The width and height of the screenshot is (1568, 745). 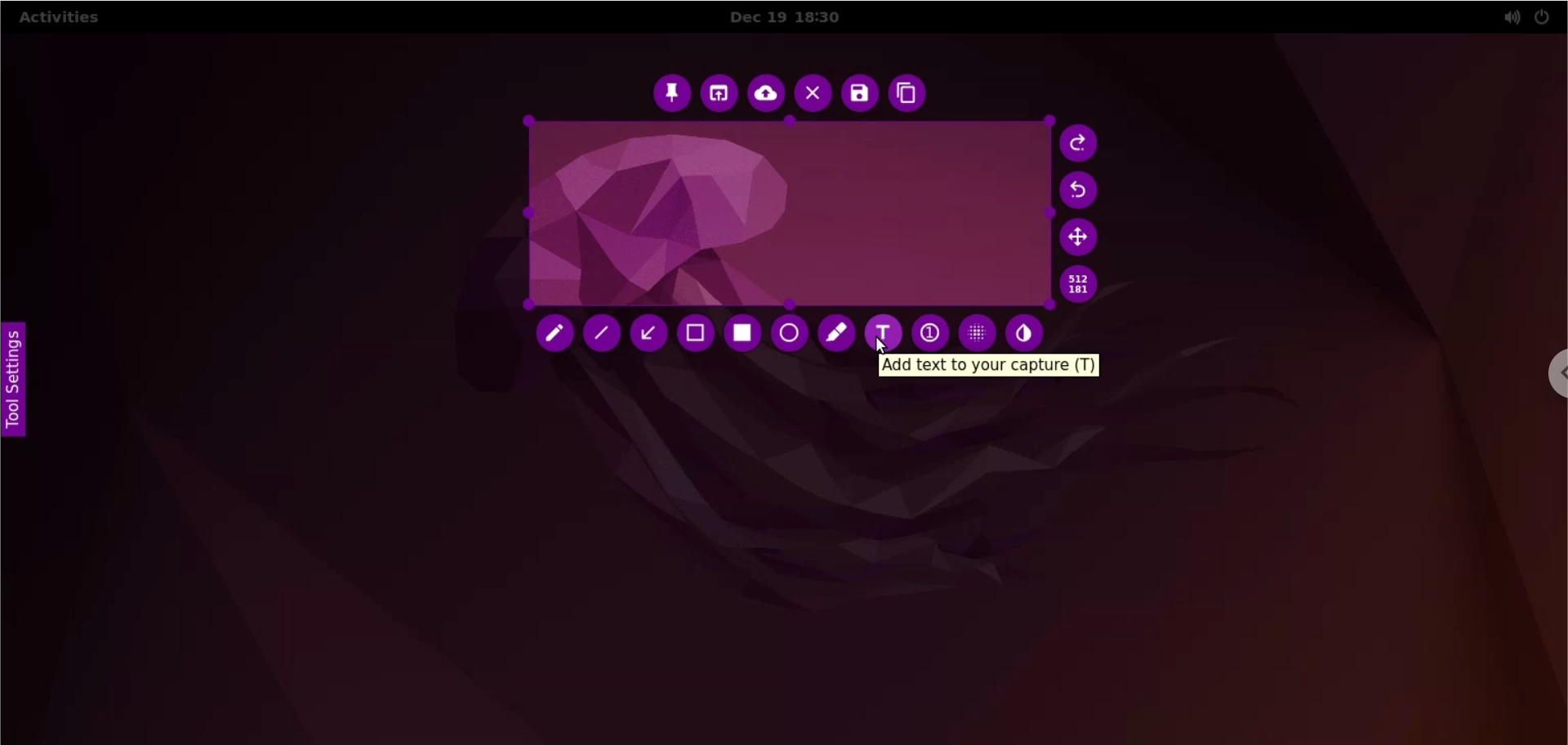 I want to click on move selection, so click(x=1077, y=239).